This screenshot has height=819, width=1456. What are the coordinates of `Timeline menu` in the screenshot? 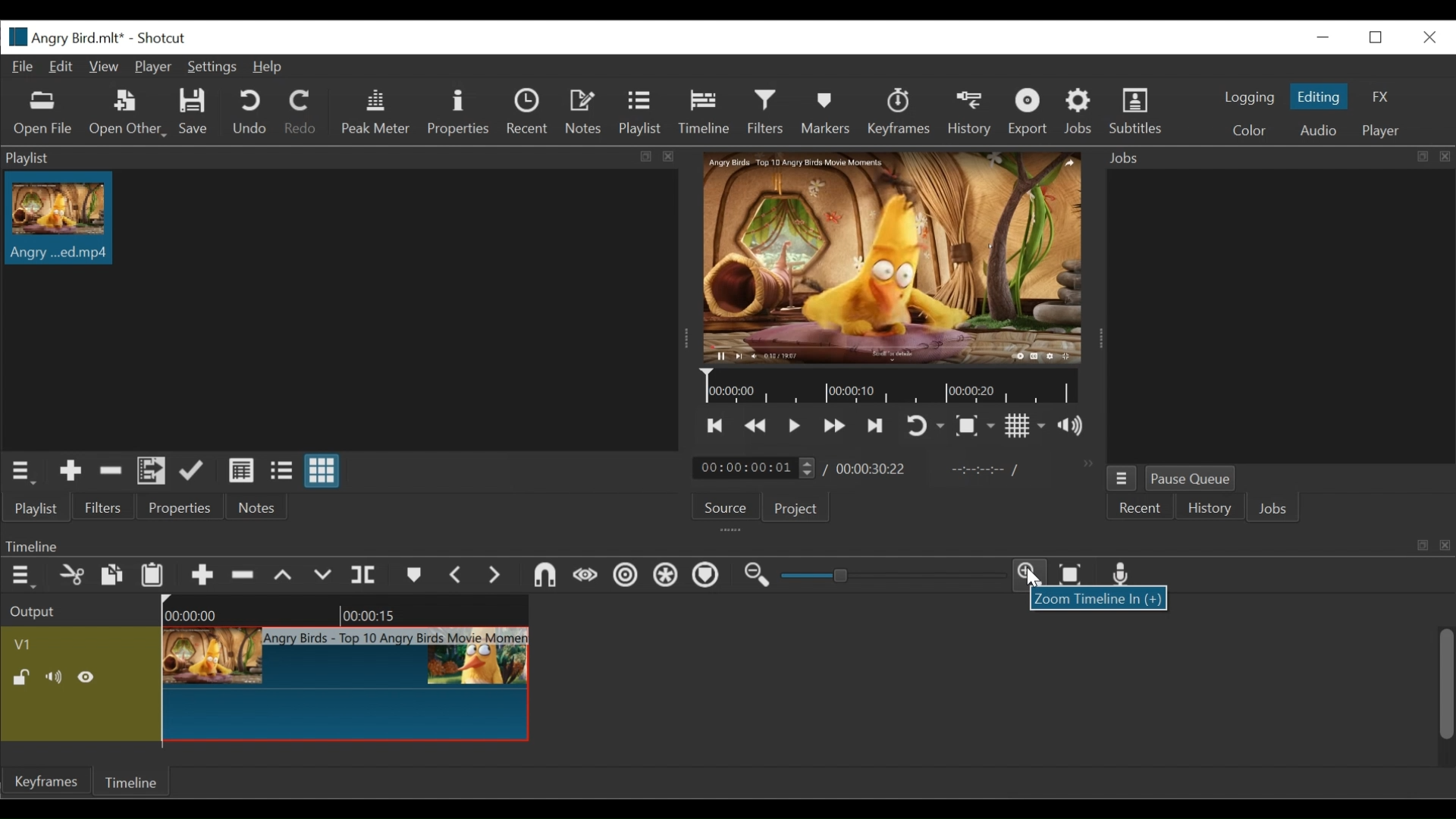 It's located at (21, 577).